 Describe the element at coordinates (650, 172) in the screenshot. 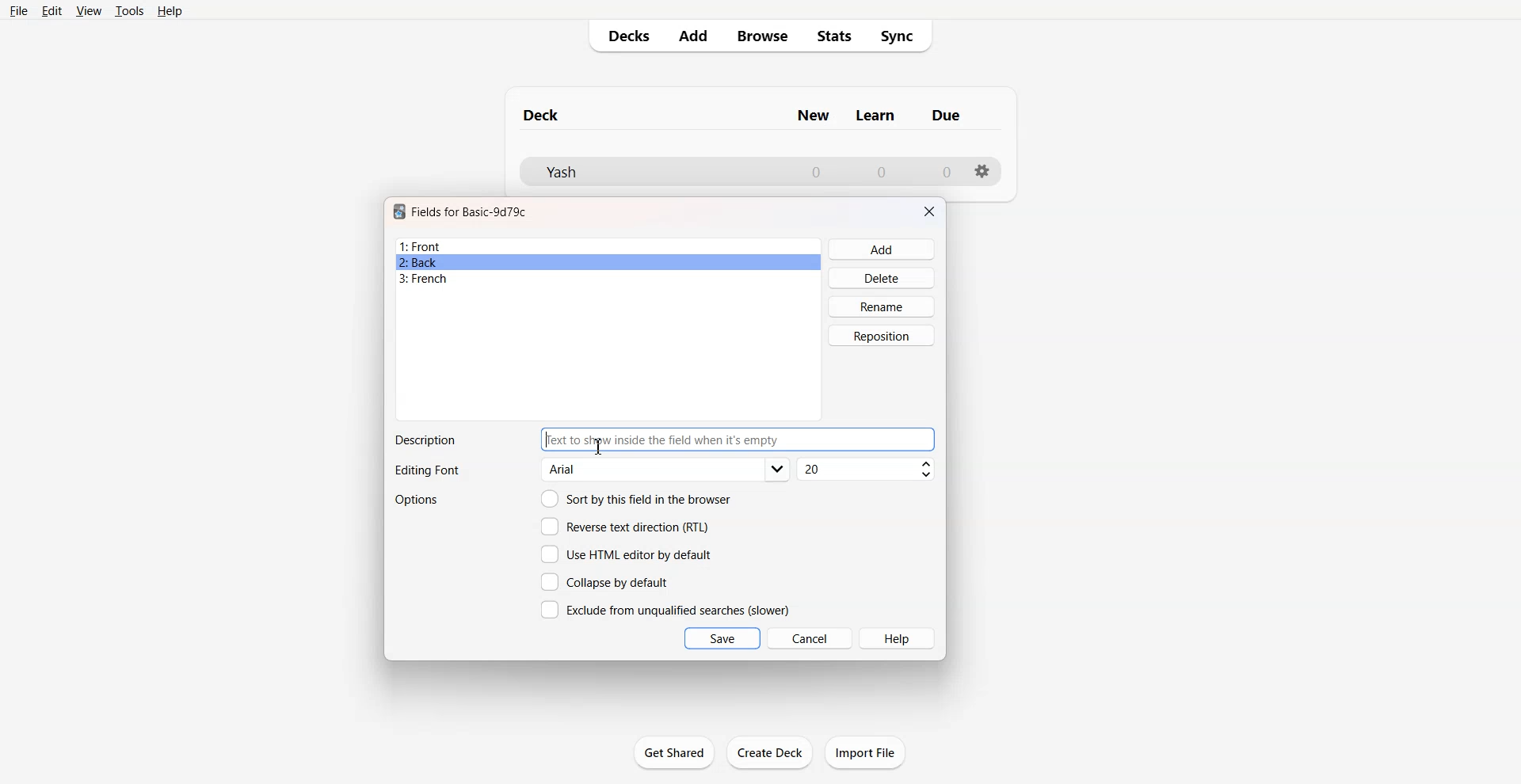

I see `Deck File` at that location.